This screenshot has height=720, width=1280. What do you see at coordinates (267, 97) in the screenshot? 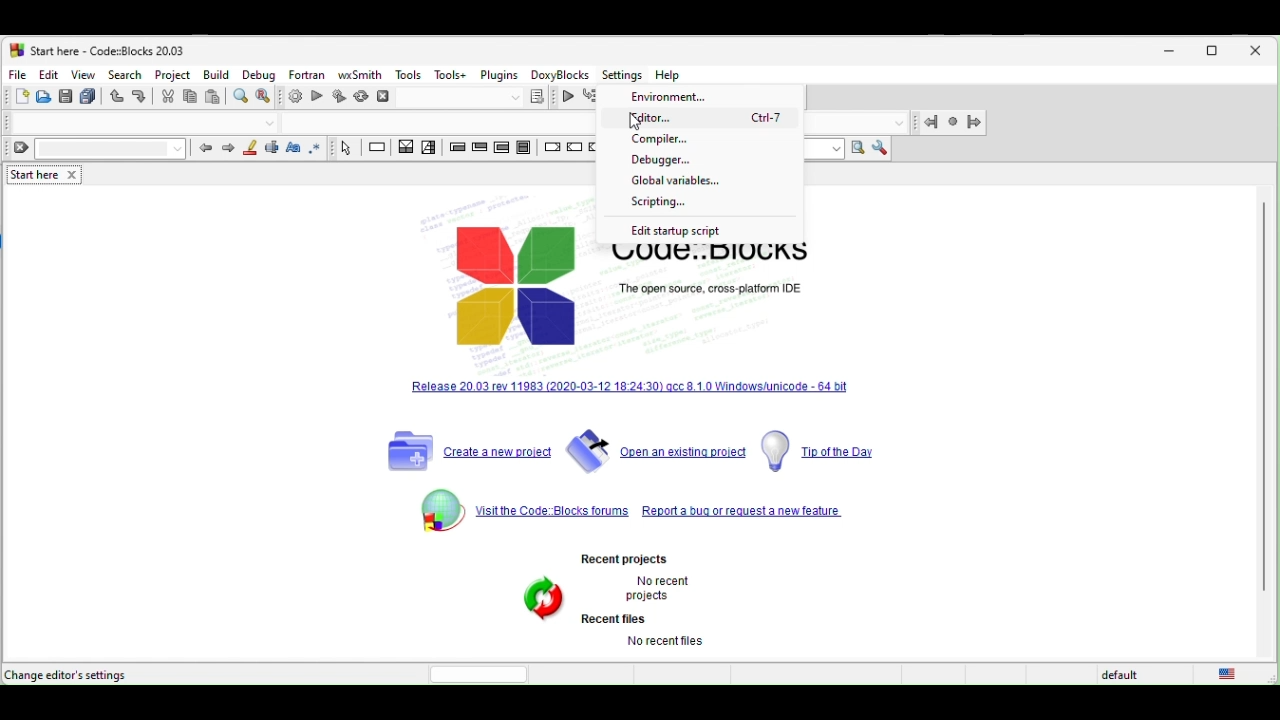
I see `replace` at bounding box center [267, 97].